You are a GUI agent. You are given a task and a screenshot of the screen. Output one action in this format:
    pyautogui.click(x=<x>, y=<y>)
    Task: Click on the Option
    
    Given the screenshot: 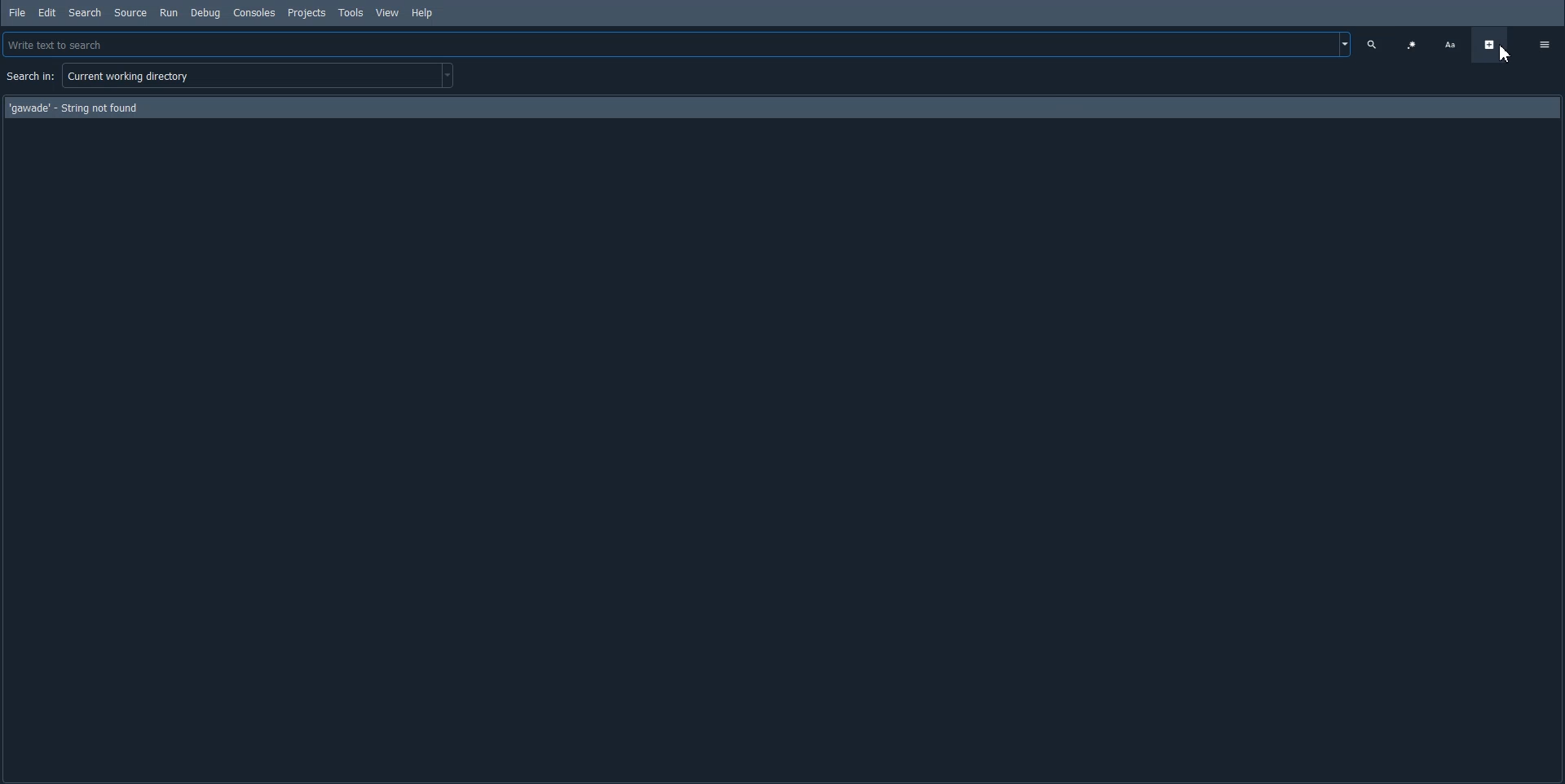 What is the action you would take?
    pyautogui.click(x=1545, y=43)
    